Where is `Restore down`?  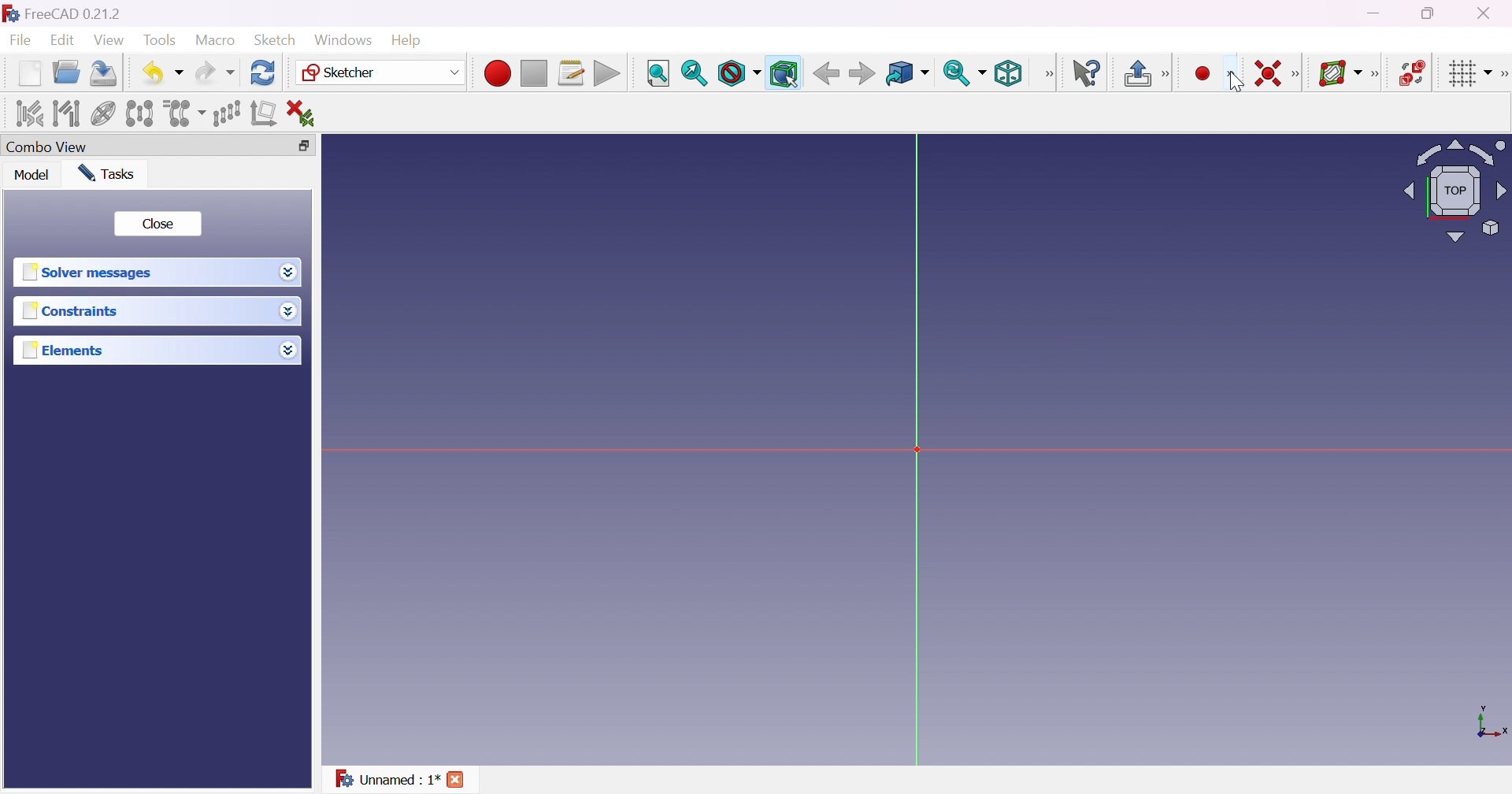 Restore down is located at coordinates (302, 146).